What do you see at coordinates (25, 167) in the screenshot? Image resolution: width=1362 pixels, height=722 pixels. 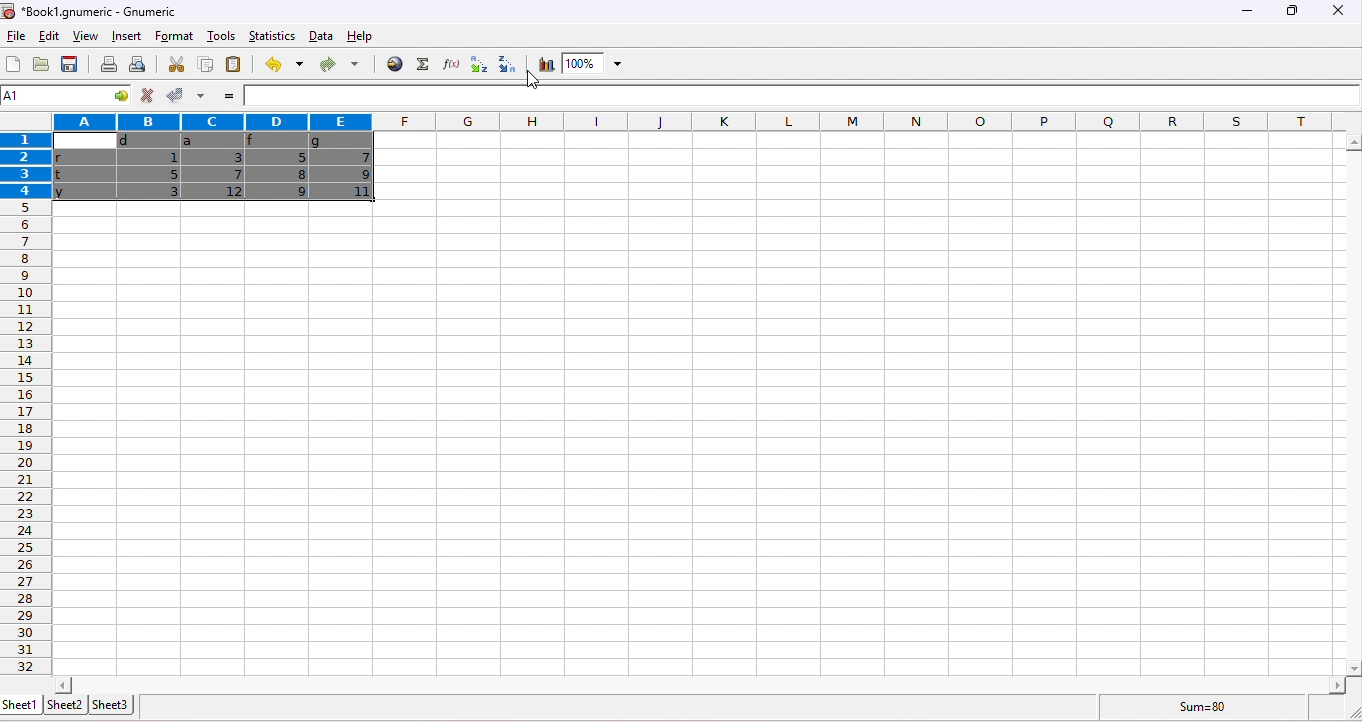 I see `rows` at bounding box center [25, 167].